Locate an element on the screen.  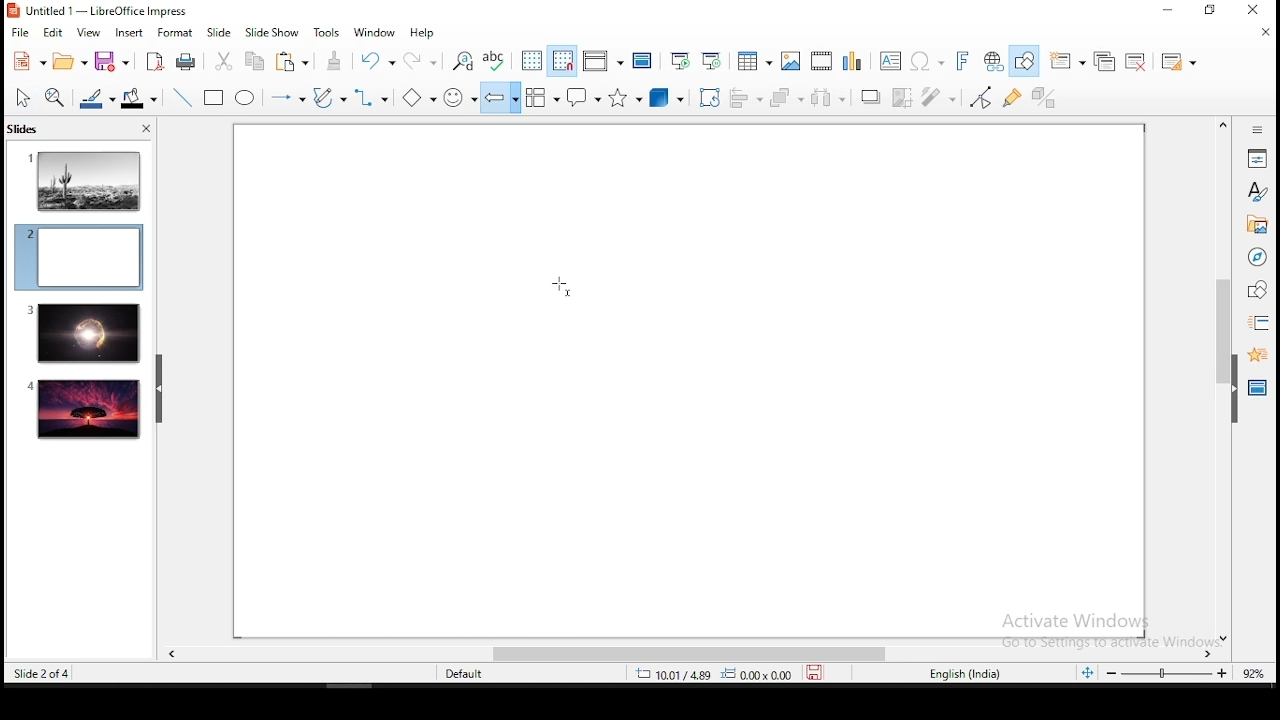
line is located at coordinates (180, 98).